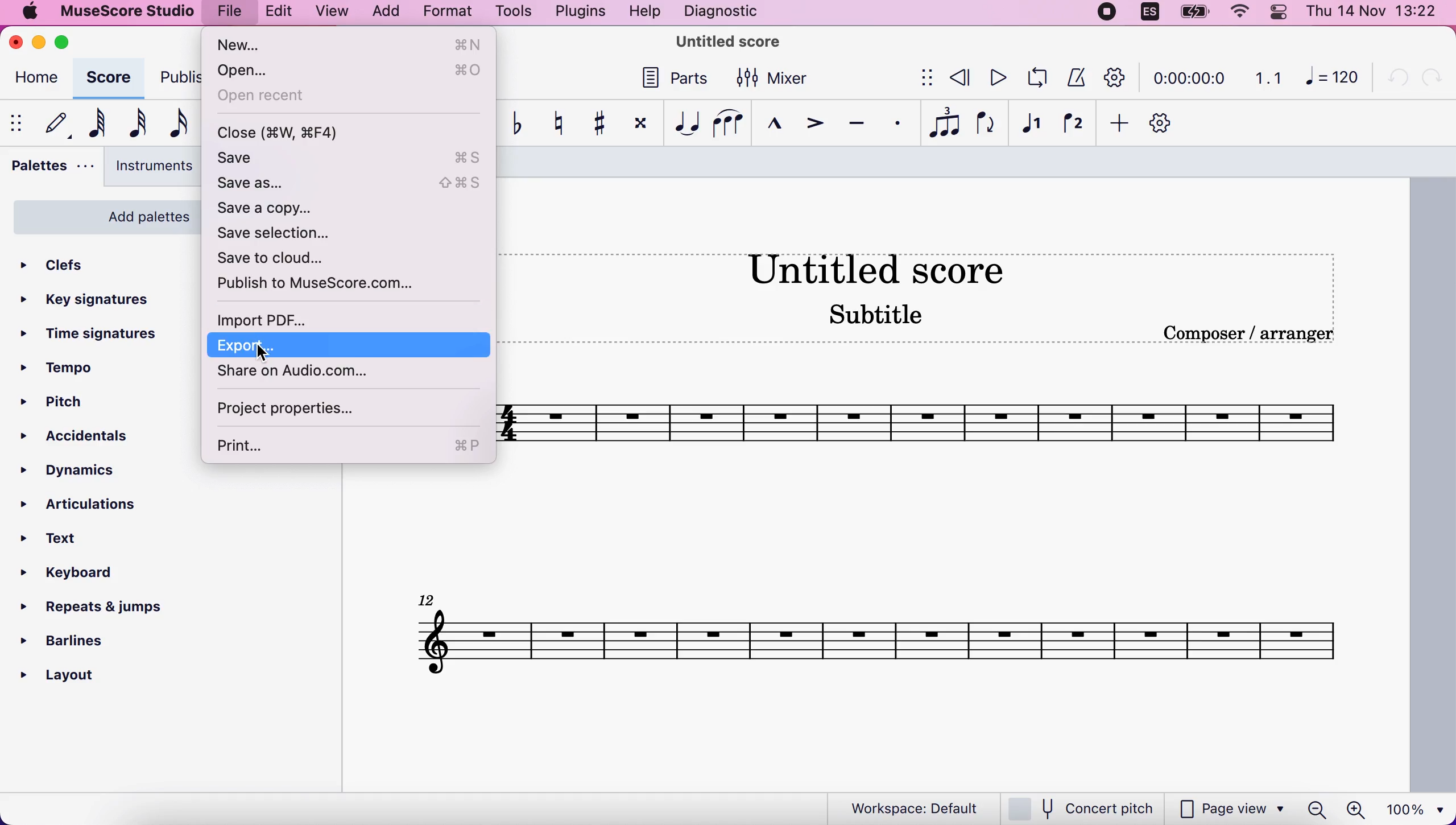  Describe the element at coordinates (49, 169) in the screenshot. I see `palettes` at that location.